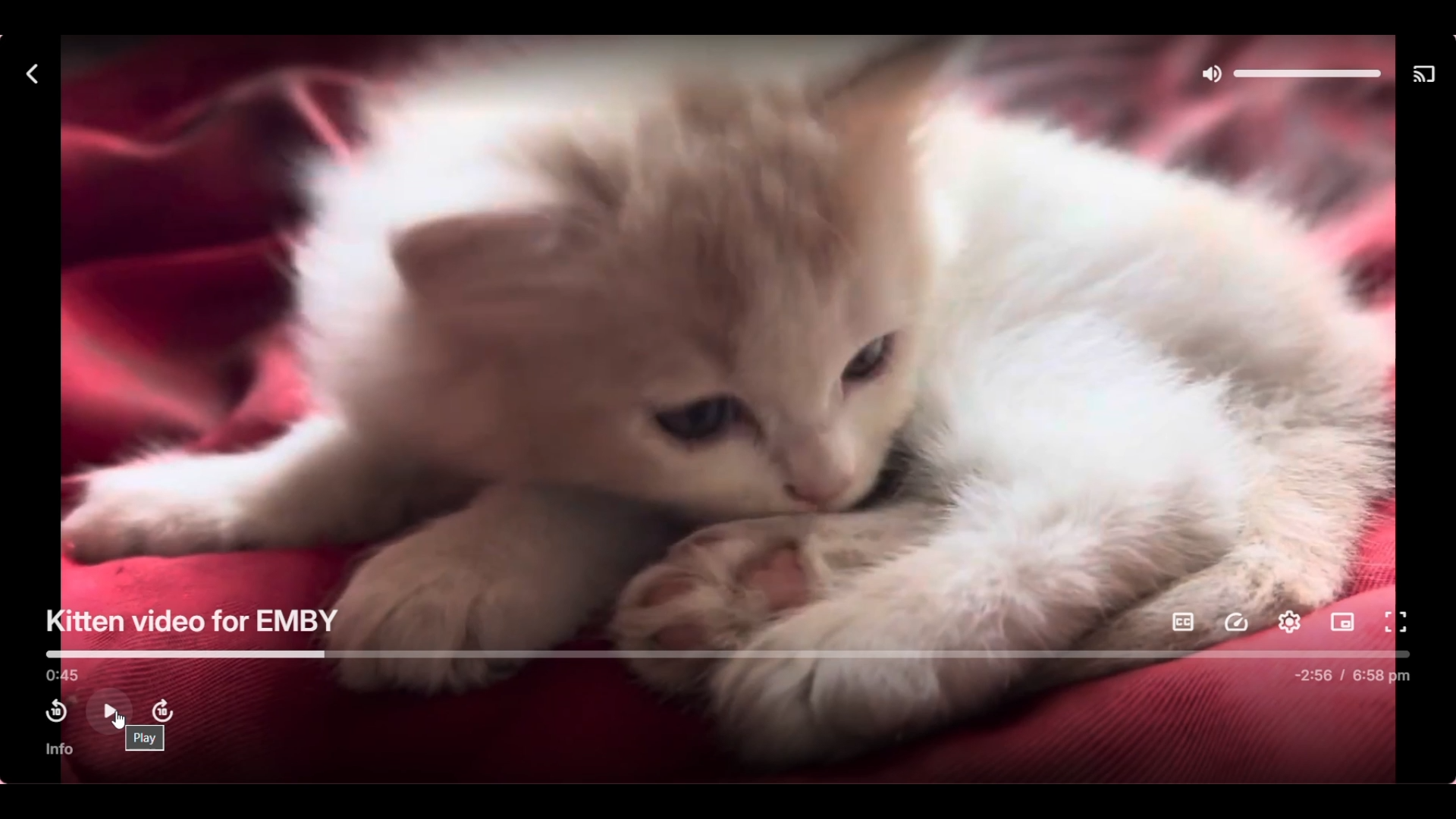 The image size is (1456, 819). What do you see at coordinates (726, 347) in the screenshot?
I see `Video screen` at bounding box center [726, 347].